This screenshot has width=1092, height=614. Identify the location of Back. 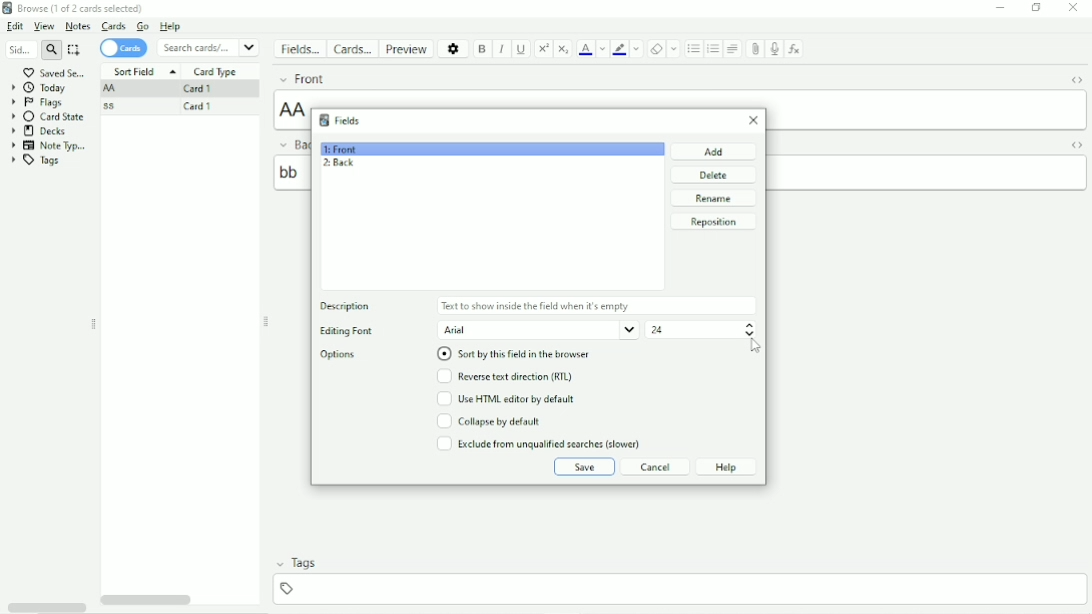
(291, 144).